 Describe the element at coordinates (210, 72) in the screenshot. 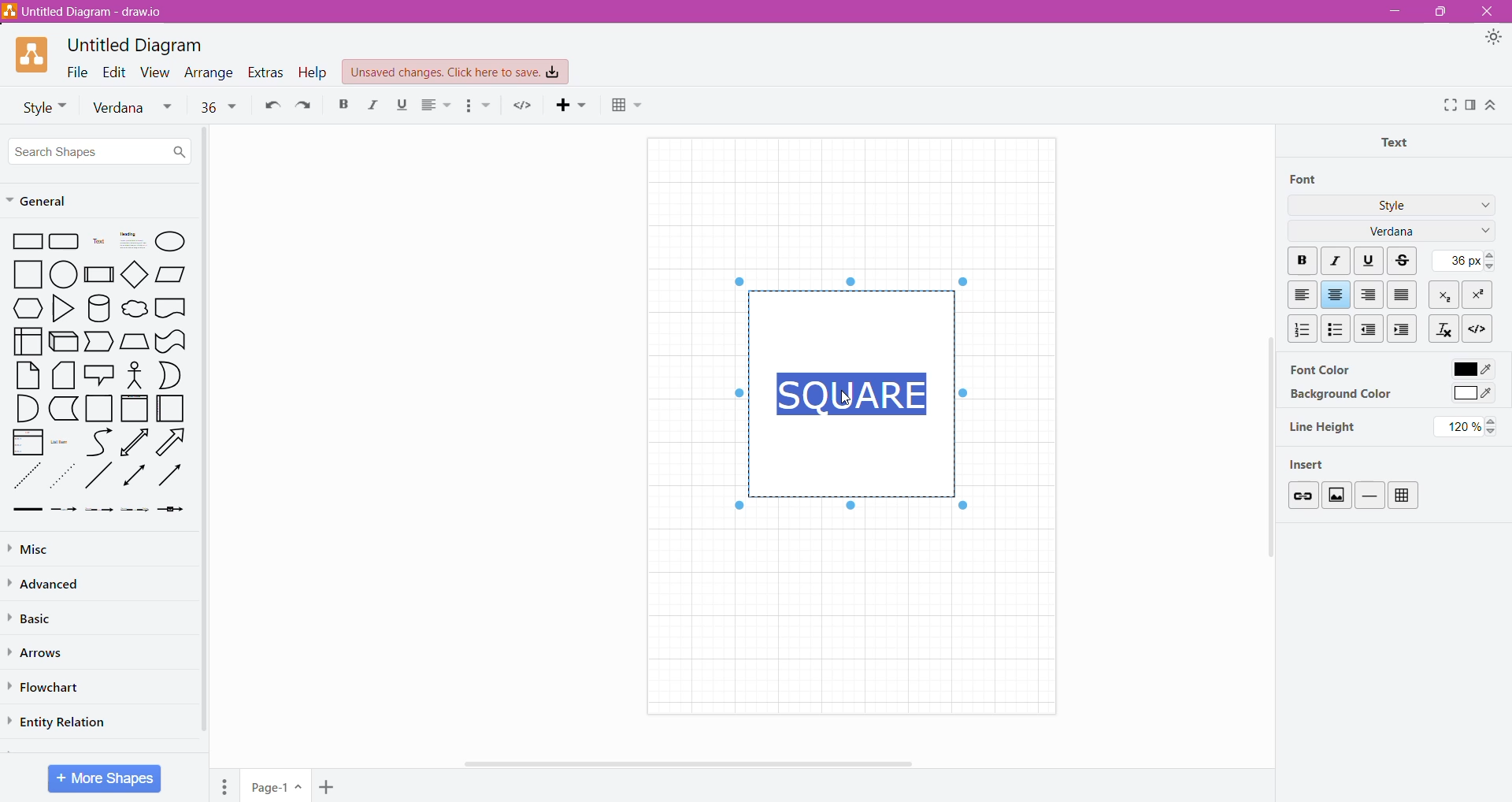

I see `Arrange` at that location.